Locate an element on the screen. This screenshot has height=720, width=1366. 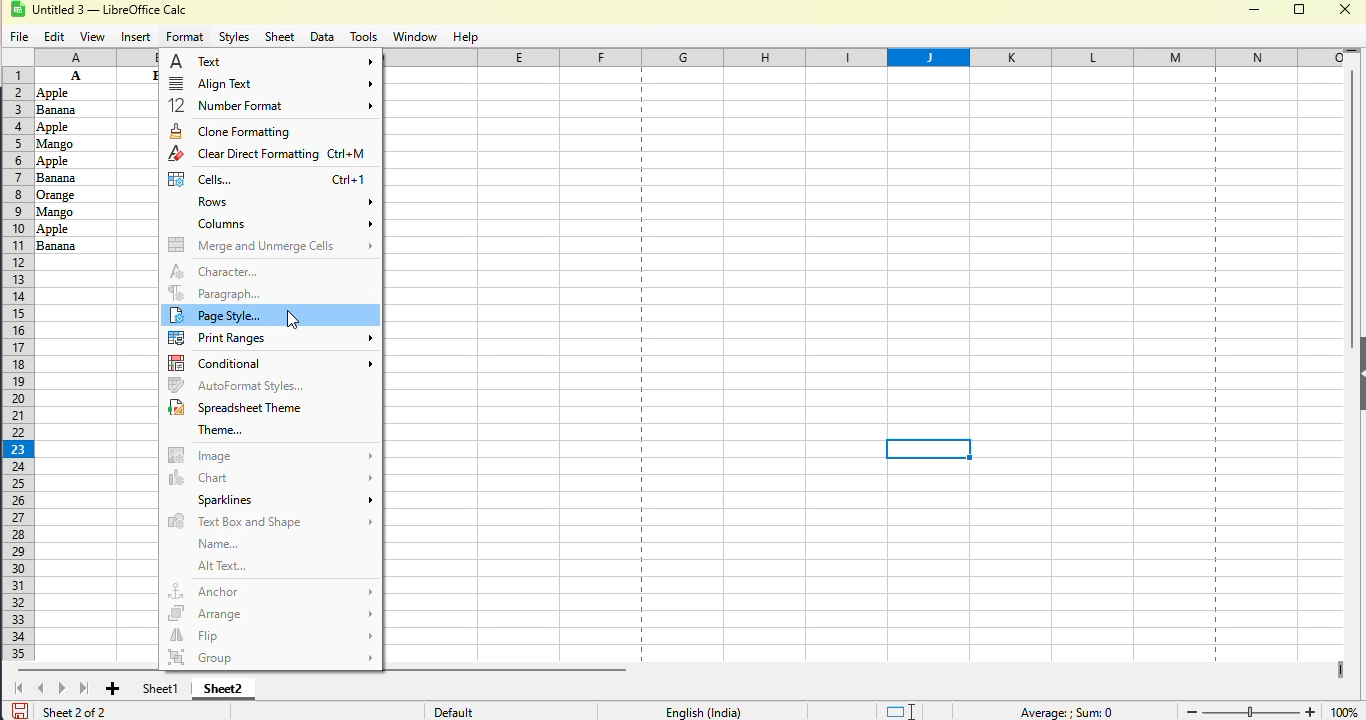
file is located at coordinates (20, 38).